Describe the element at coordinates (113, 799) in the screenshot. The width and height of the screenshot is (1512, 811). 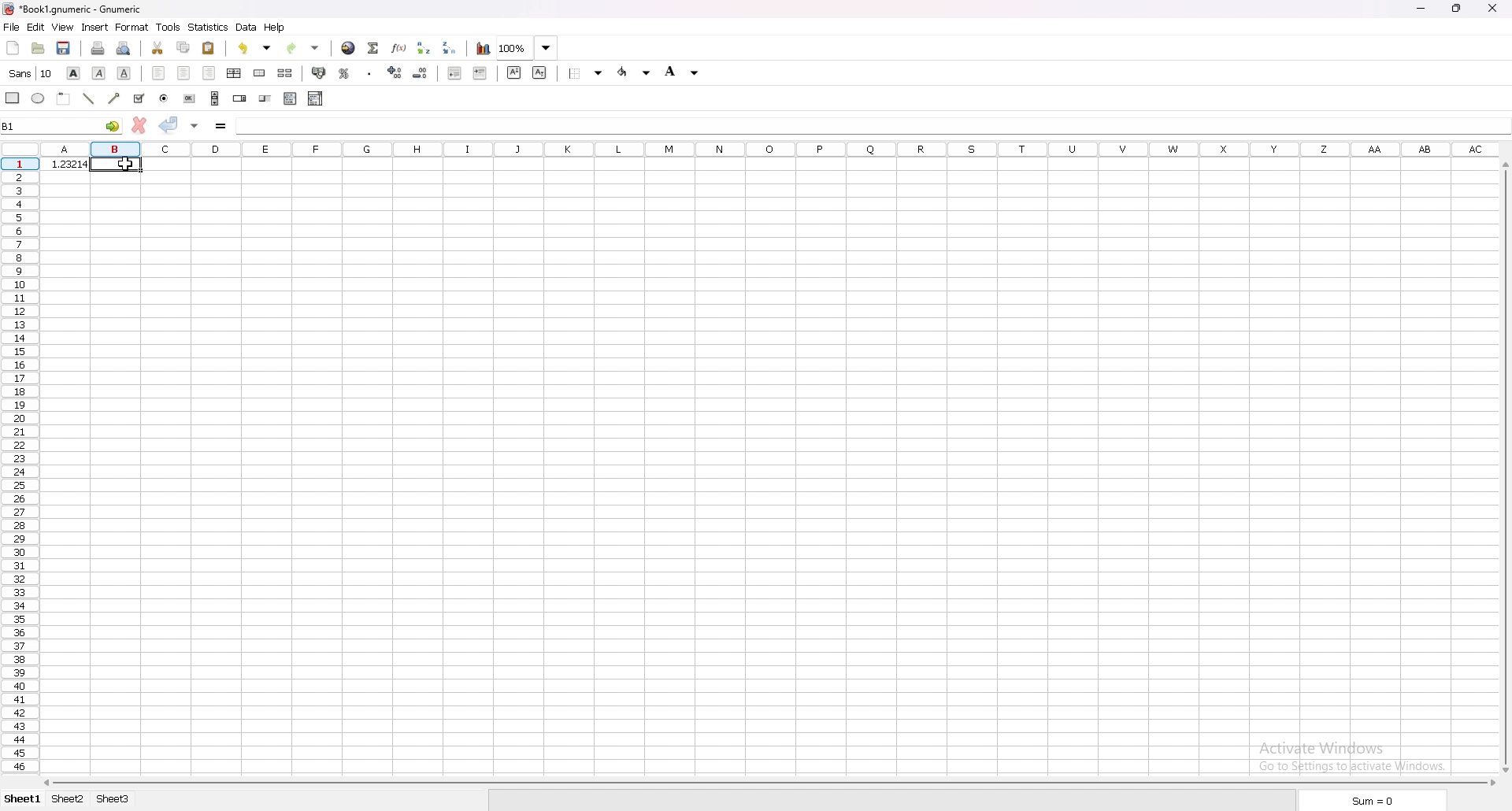
I see `sheet 3` at that location.